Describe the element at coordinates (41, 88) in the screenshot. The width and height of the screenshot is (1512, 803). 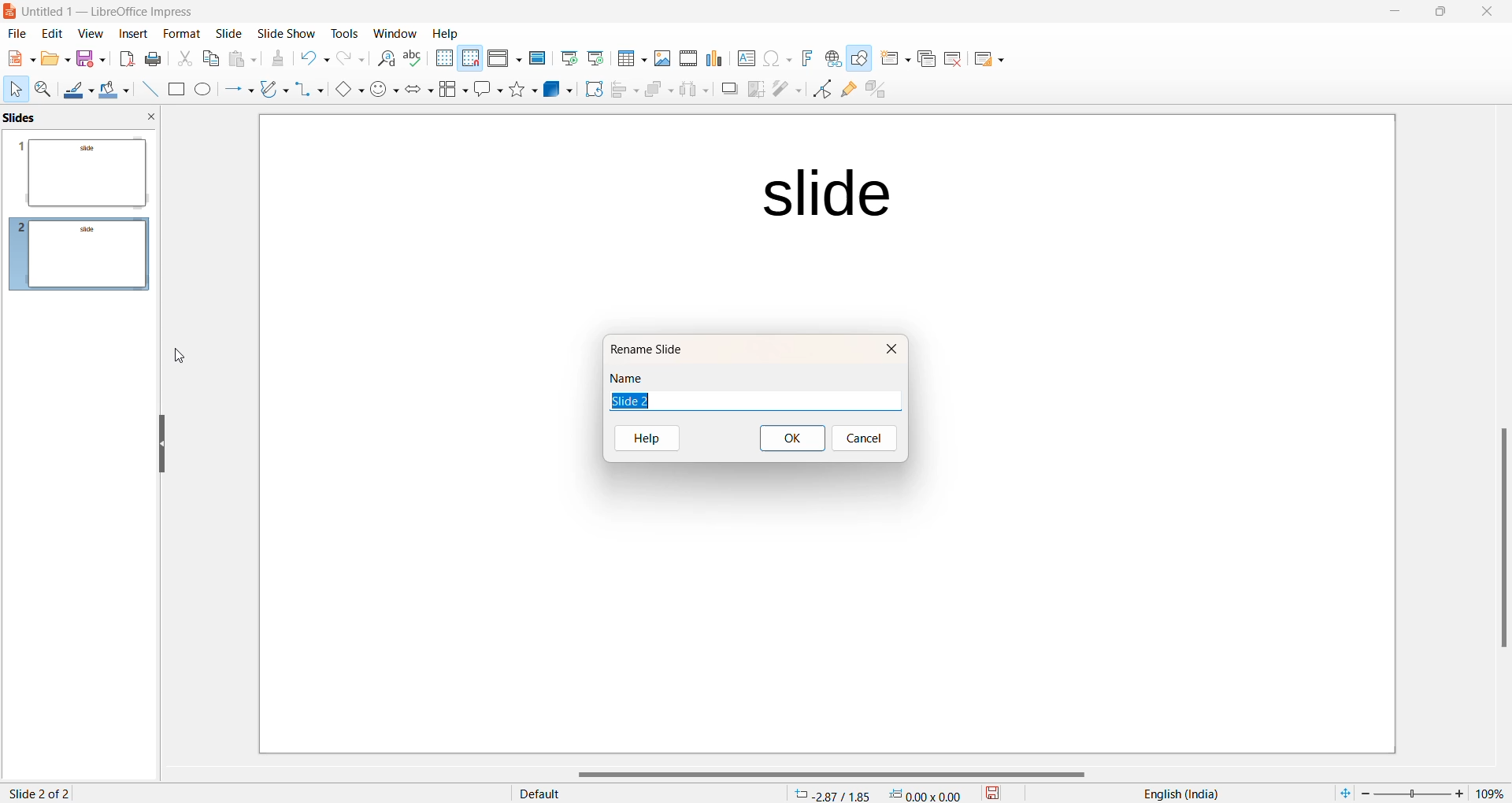
I see `Zoom and pan` at that location.